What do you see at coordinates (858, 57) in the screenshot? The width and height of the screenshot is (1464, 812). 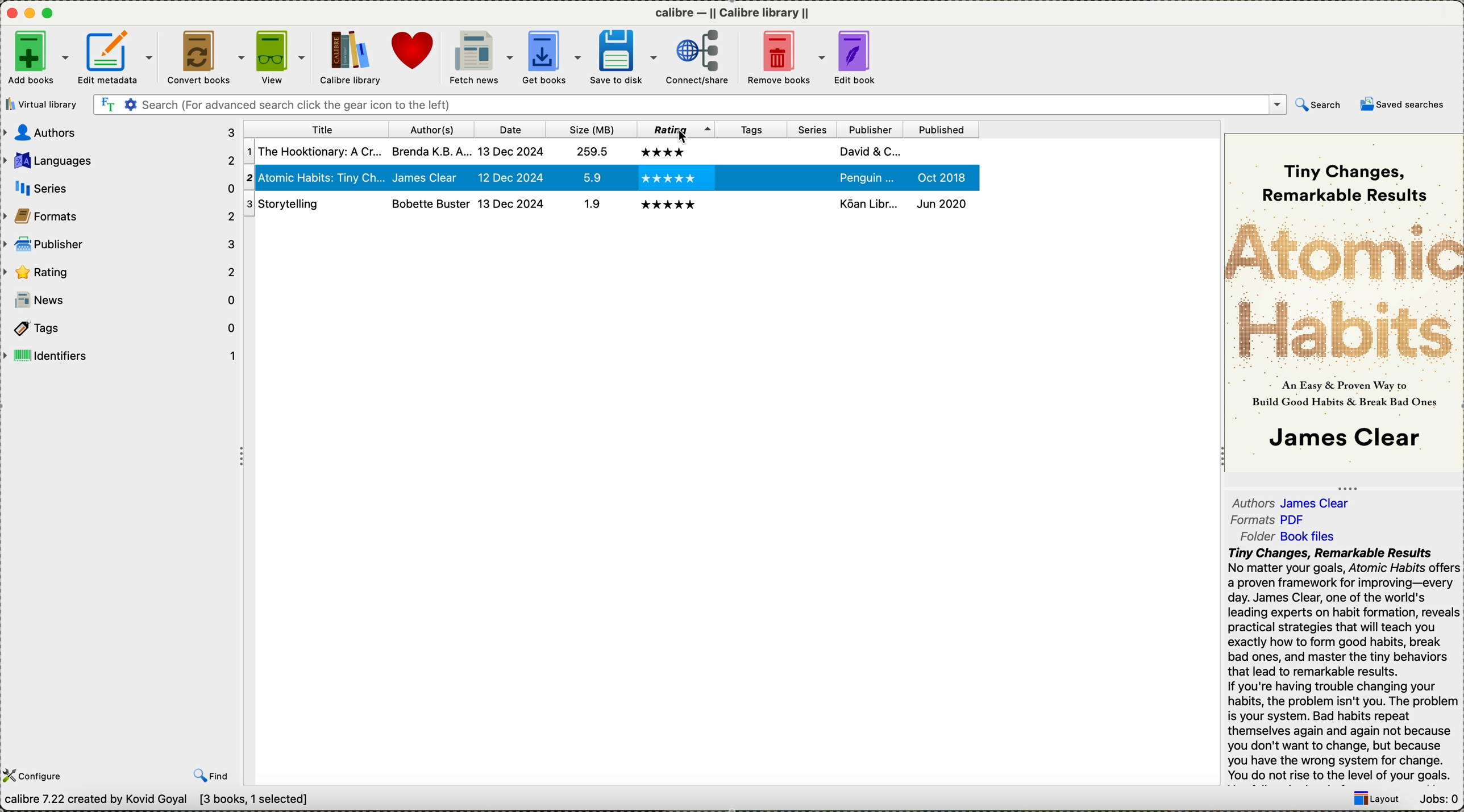 I see `edit book` at bounding box center [858, 57].